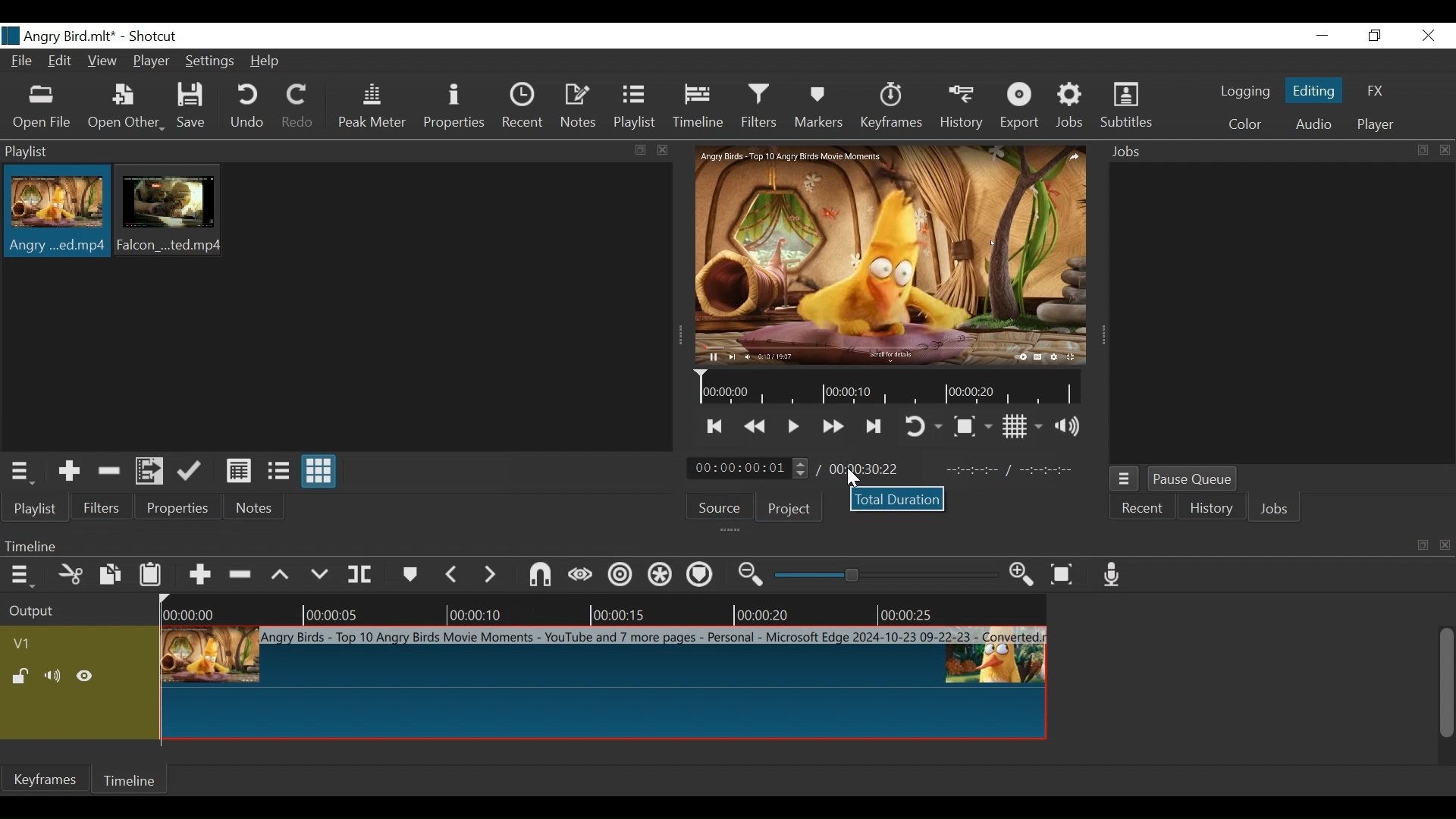 The width and height of the screenshot is (1456, 819). I want to click on Ripple delete, so click(242, 576).